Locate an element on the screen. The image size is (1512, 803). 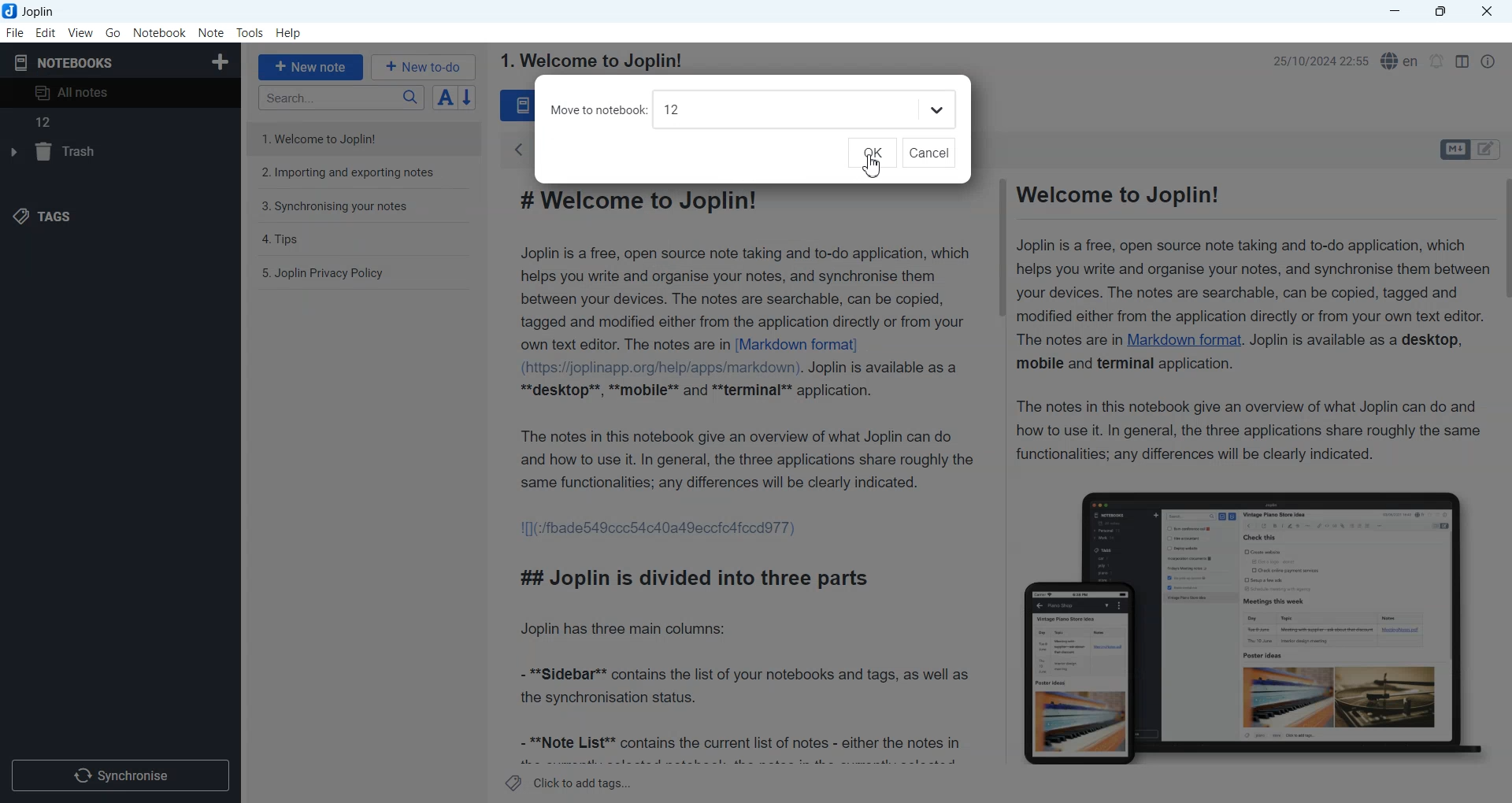
Synchronize is located at coordinates (120, 774).